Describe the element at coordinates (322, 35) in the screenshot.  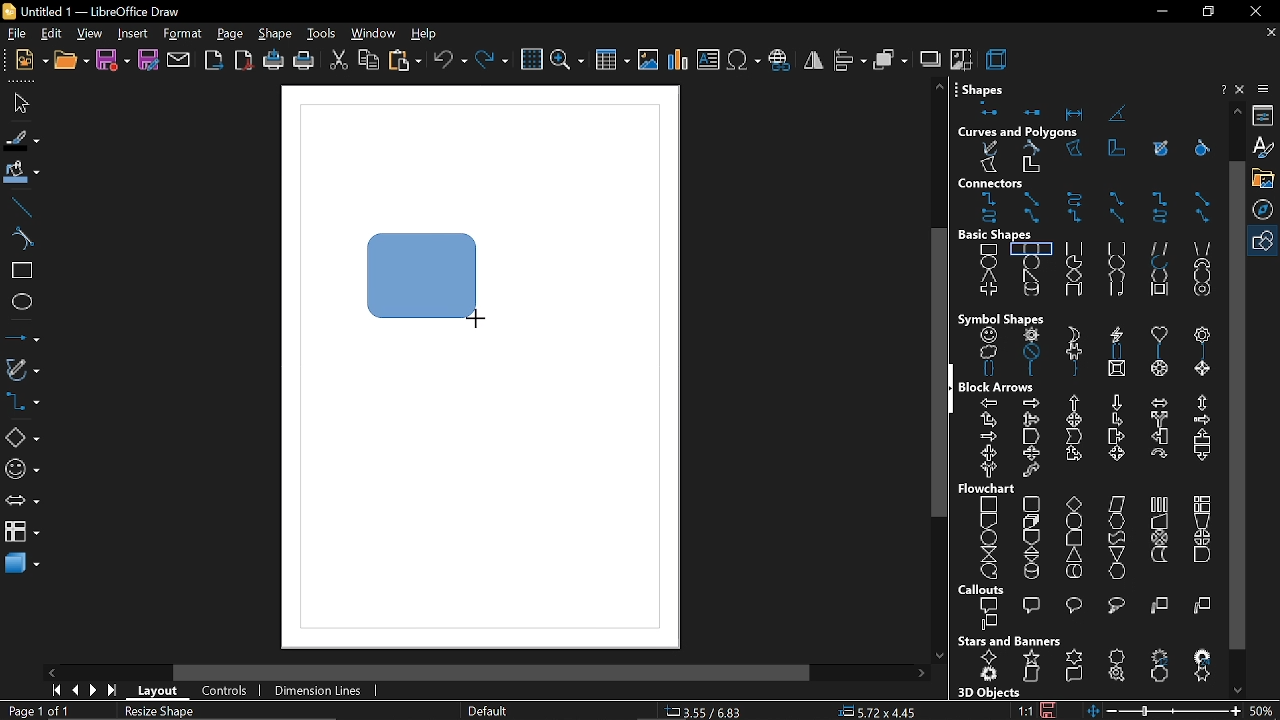
I see `tools` at that location.